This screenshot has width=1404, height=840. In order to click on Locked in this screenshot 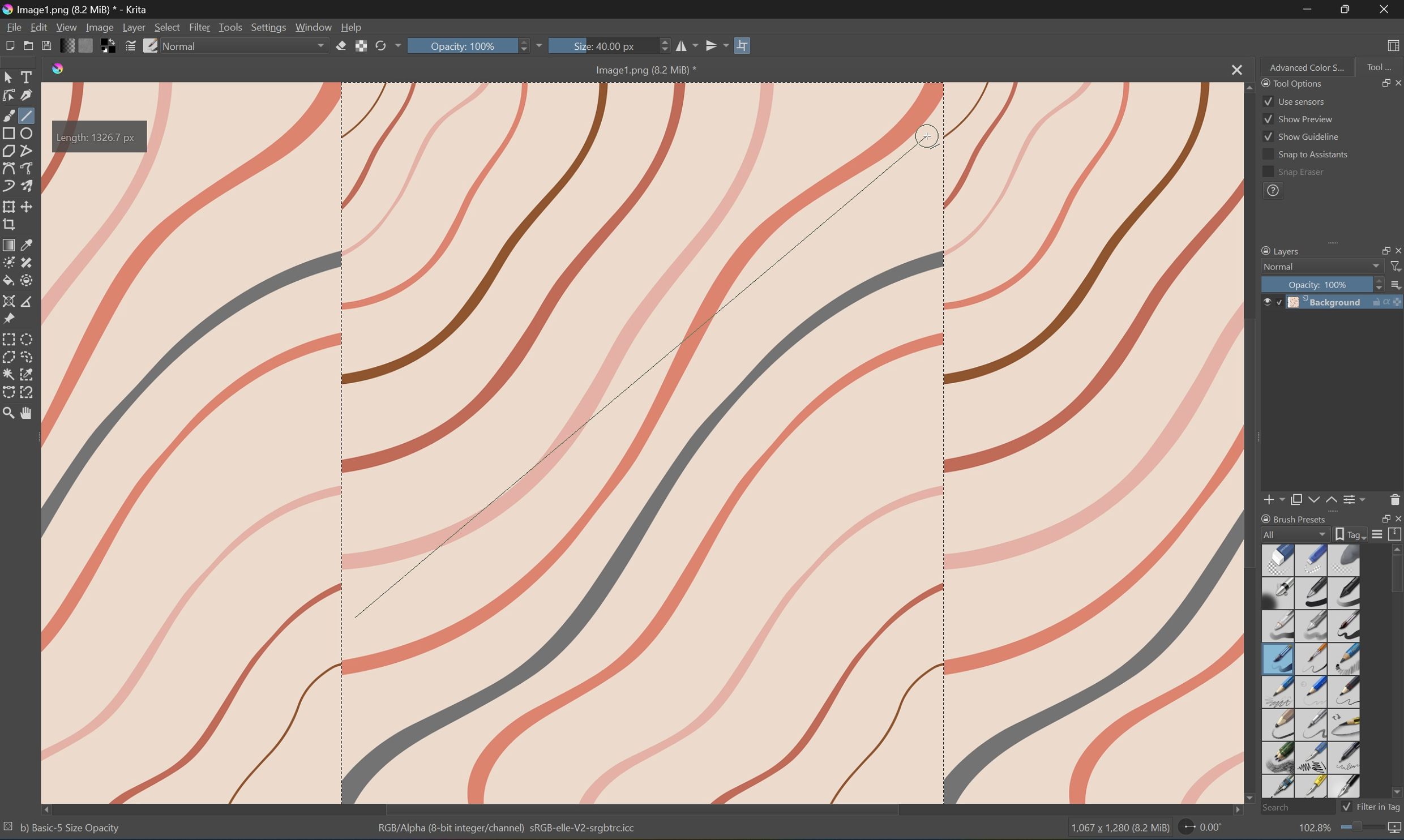, I will do `click(1279, 302)`.